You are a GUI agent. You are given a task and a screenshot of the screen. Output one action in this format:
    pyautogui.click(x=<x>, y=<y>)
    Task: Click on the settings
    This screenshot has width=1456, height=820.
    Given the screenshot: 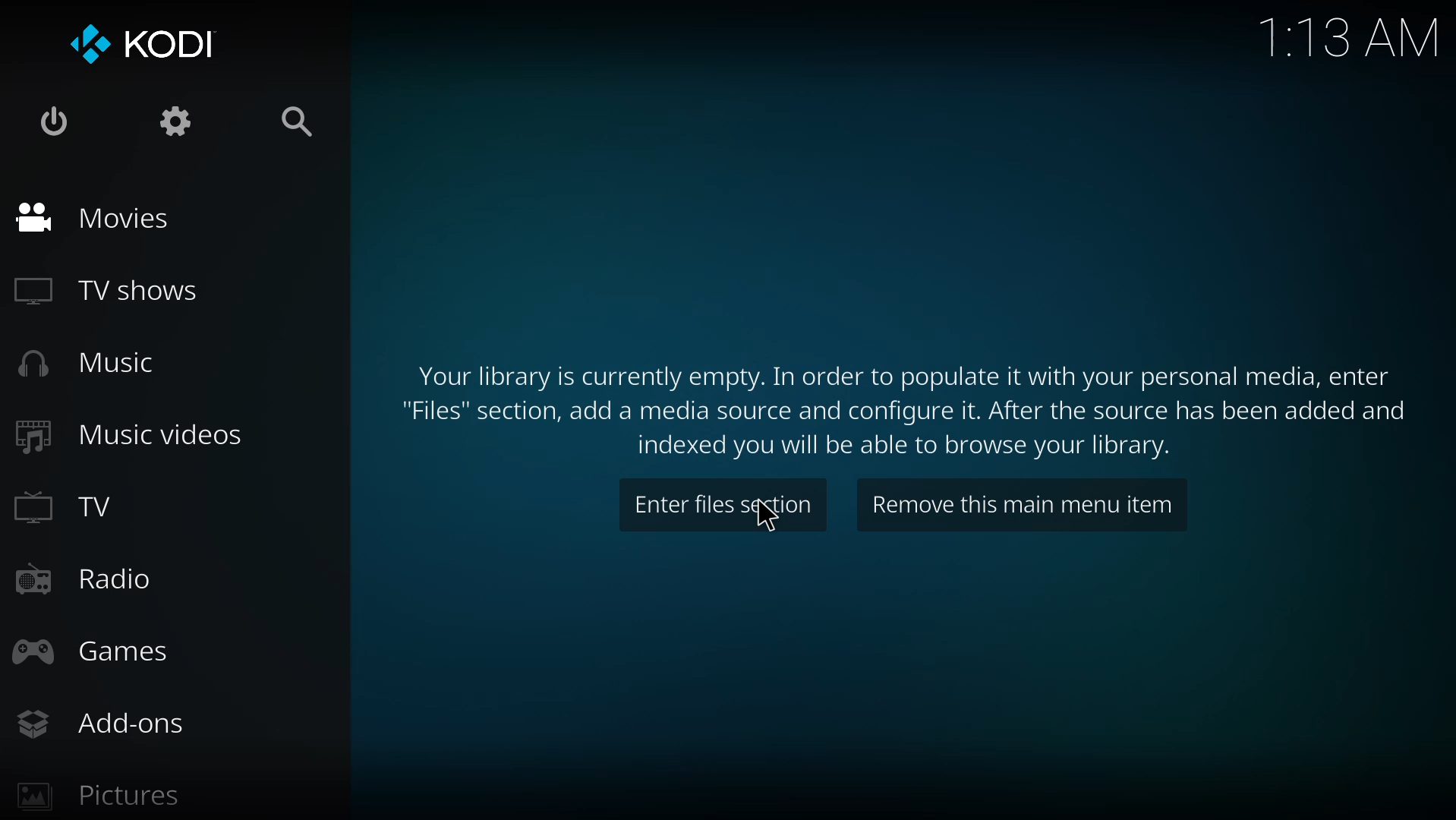 What is the action you would take?
    pyautogui.click(x=162, y=122)
    